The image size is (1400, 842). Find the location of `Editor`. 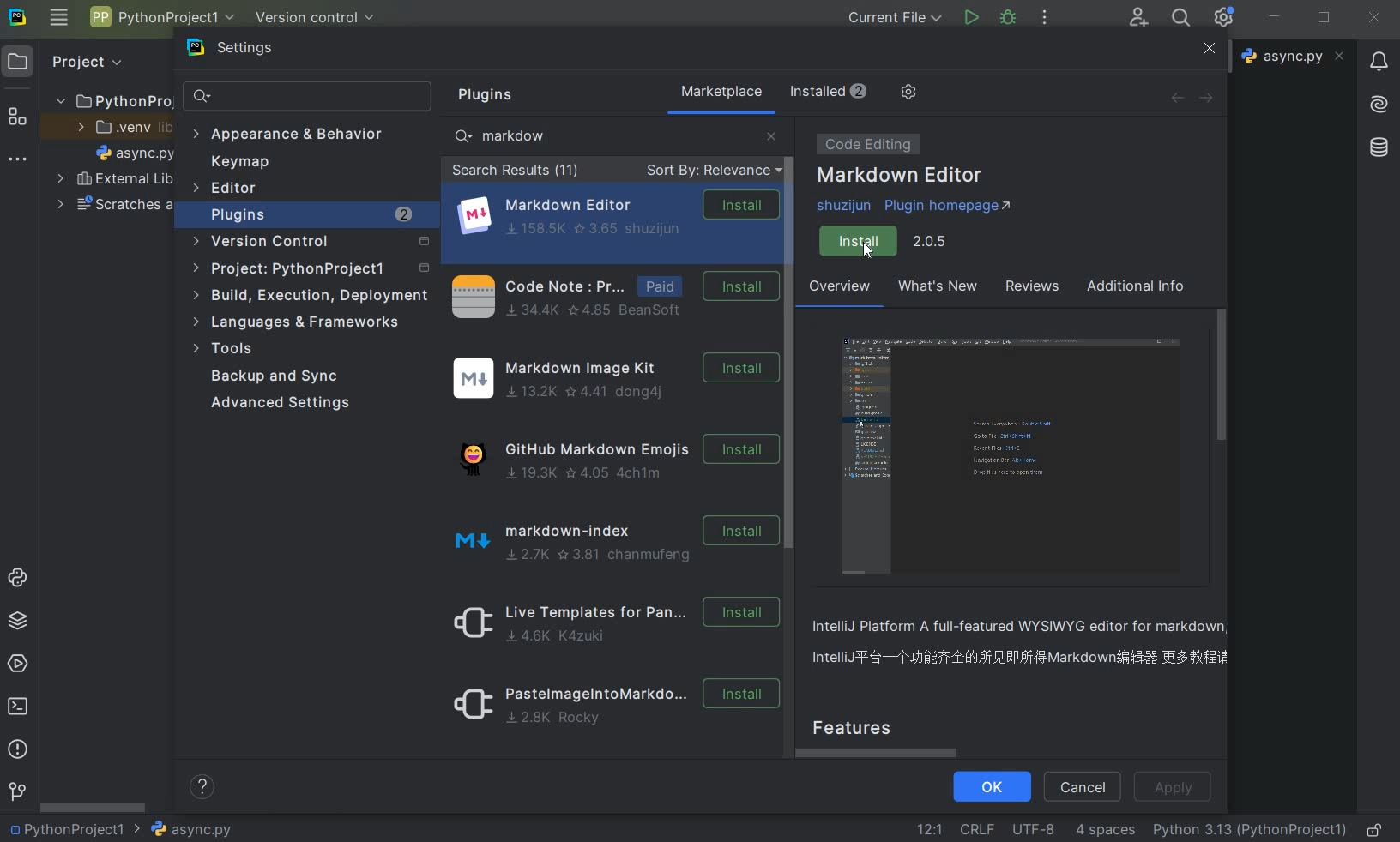

Editor is located at coordinates (226, 189).